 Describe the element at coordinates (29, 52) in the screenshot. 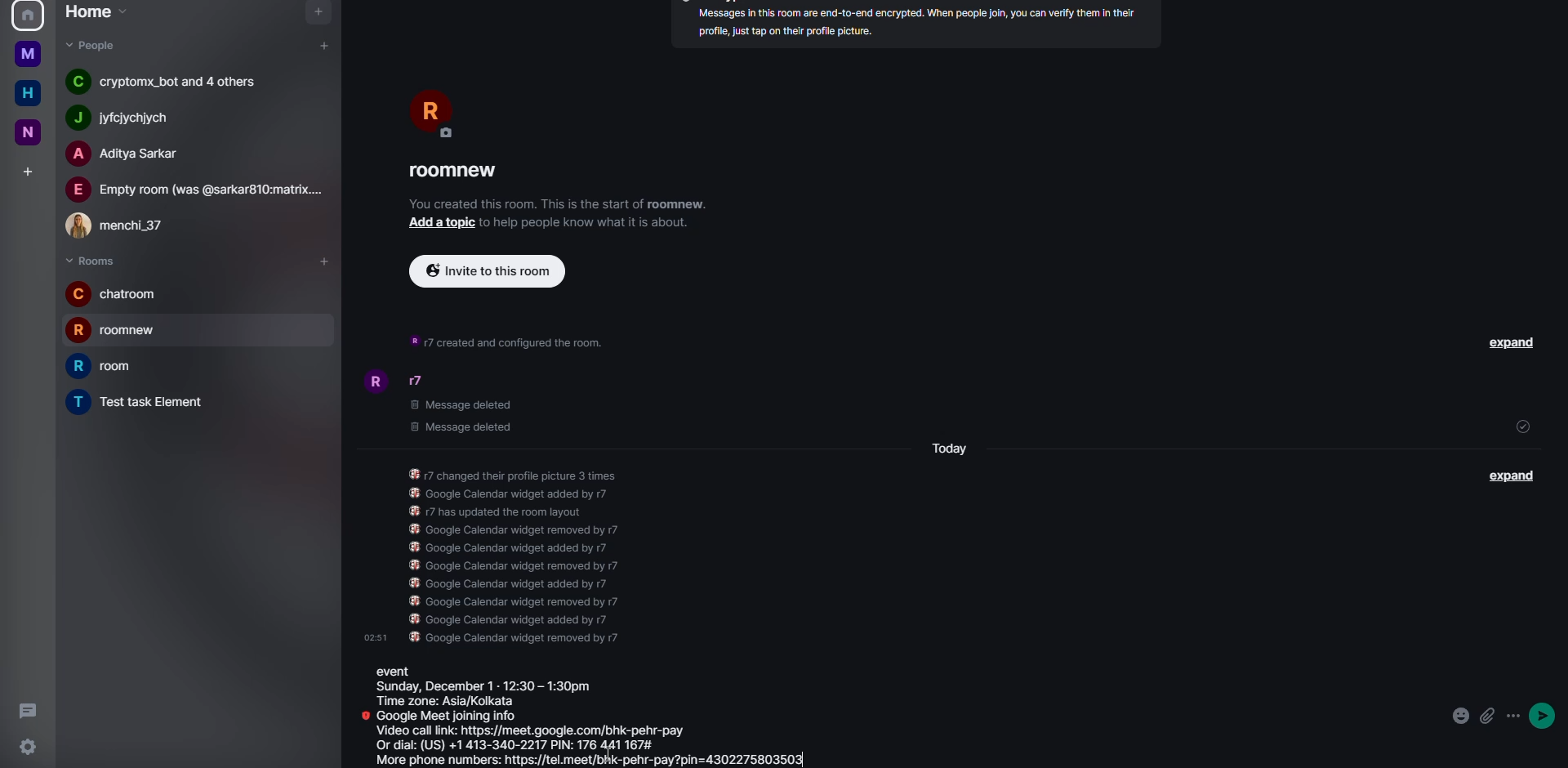

I see `home` at that location.